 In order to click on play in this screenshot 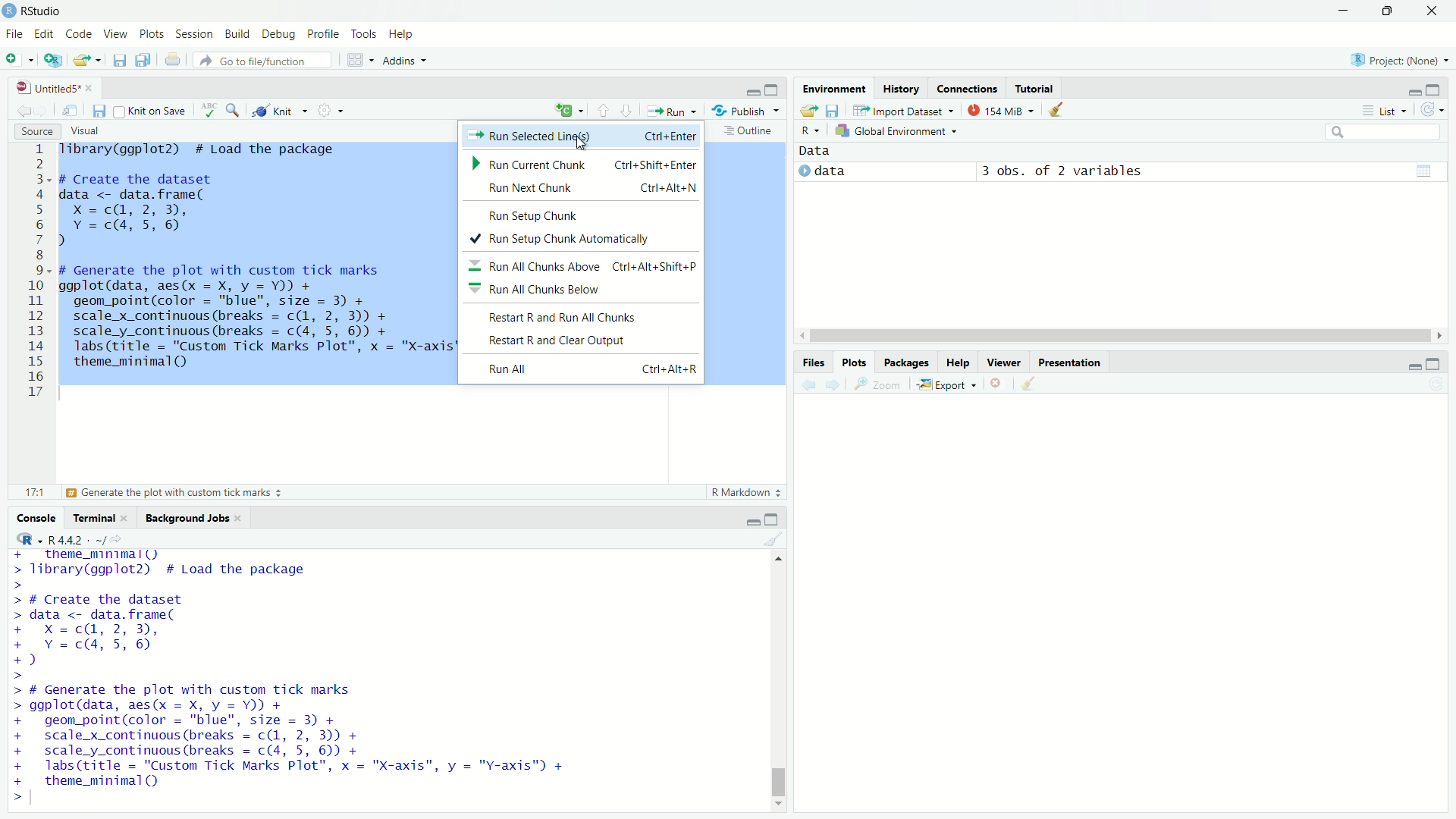, I will do `click(802, 174)`.